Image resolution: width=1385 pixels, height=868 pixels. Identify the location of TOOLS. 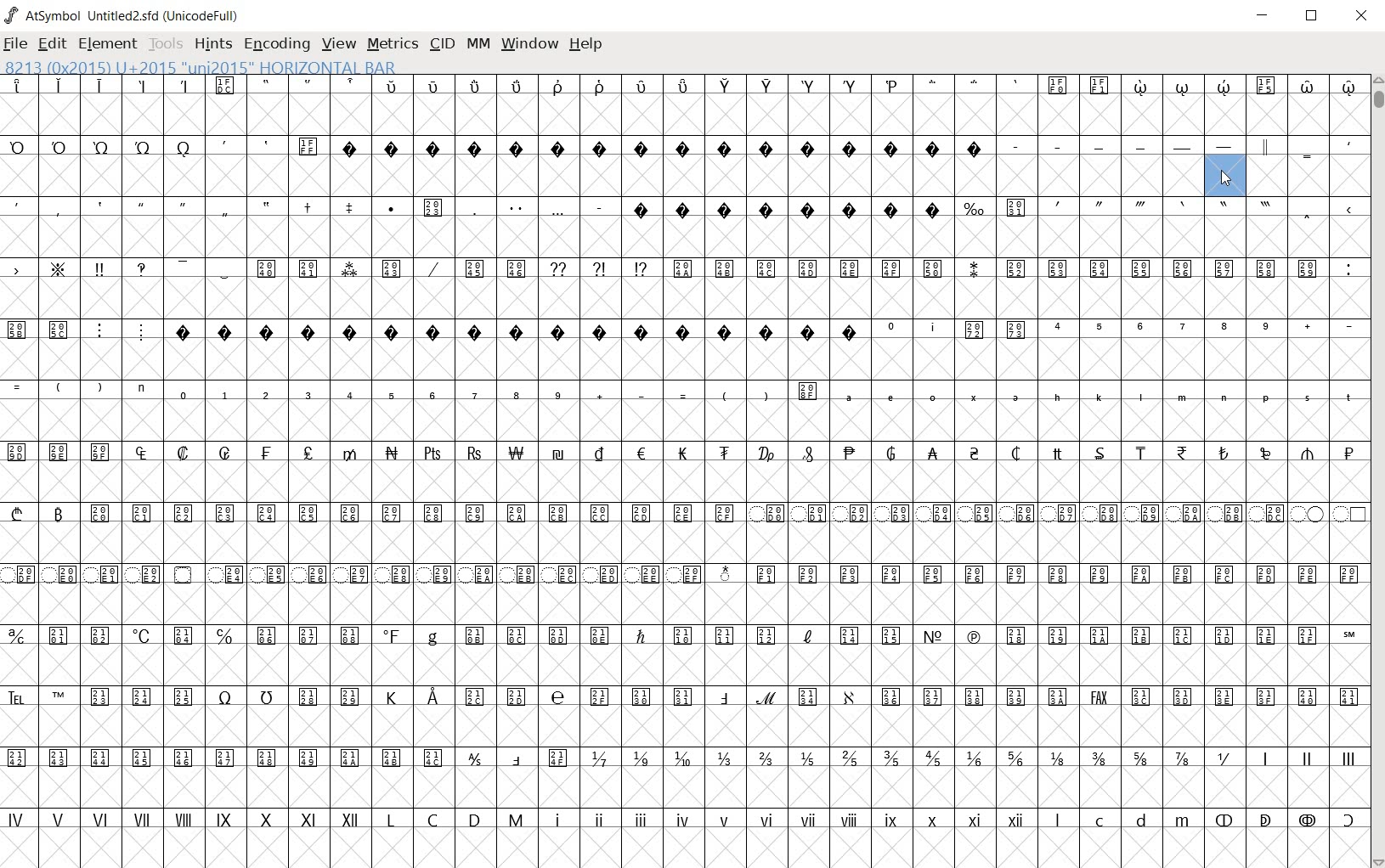
(168, 45).